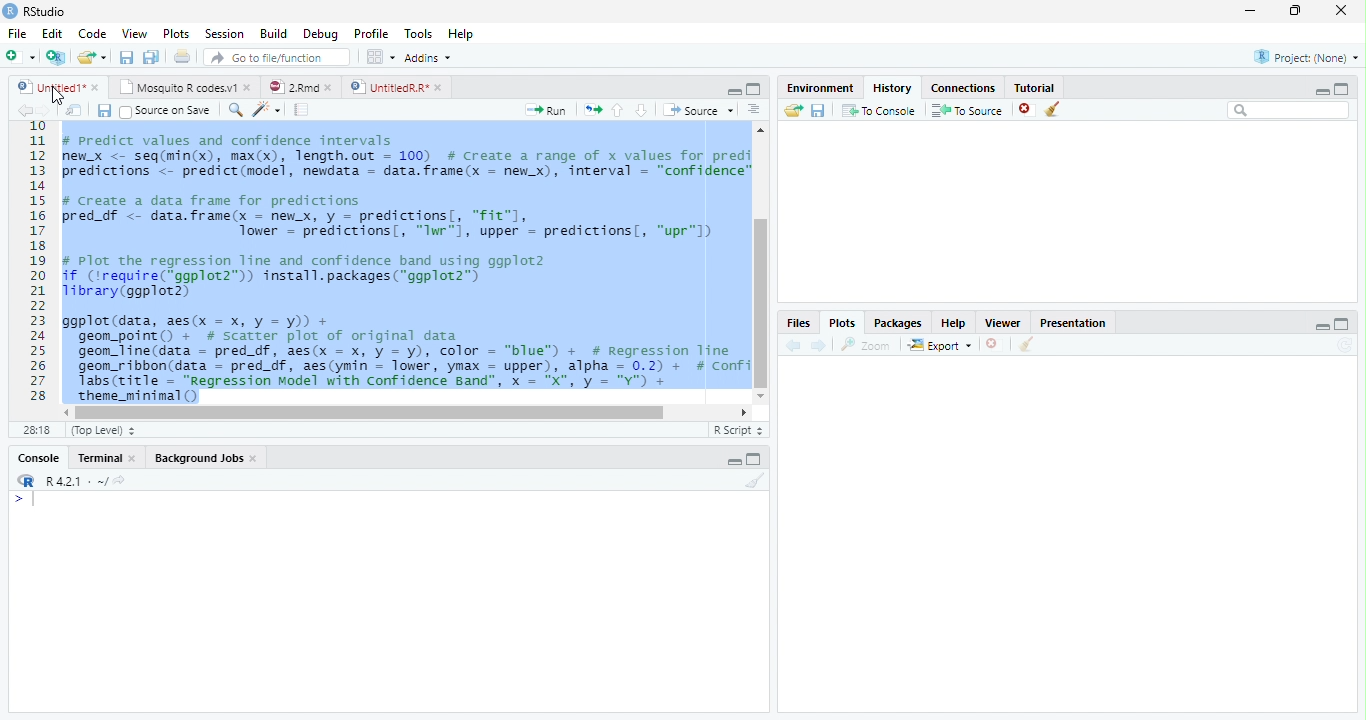 The image size is (1366, 720). What do you see at coordinates (44, 111) in the screenshot?
I see `Next` at bounding box center [44, 111].